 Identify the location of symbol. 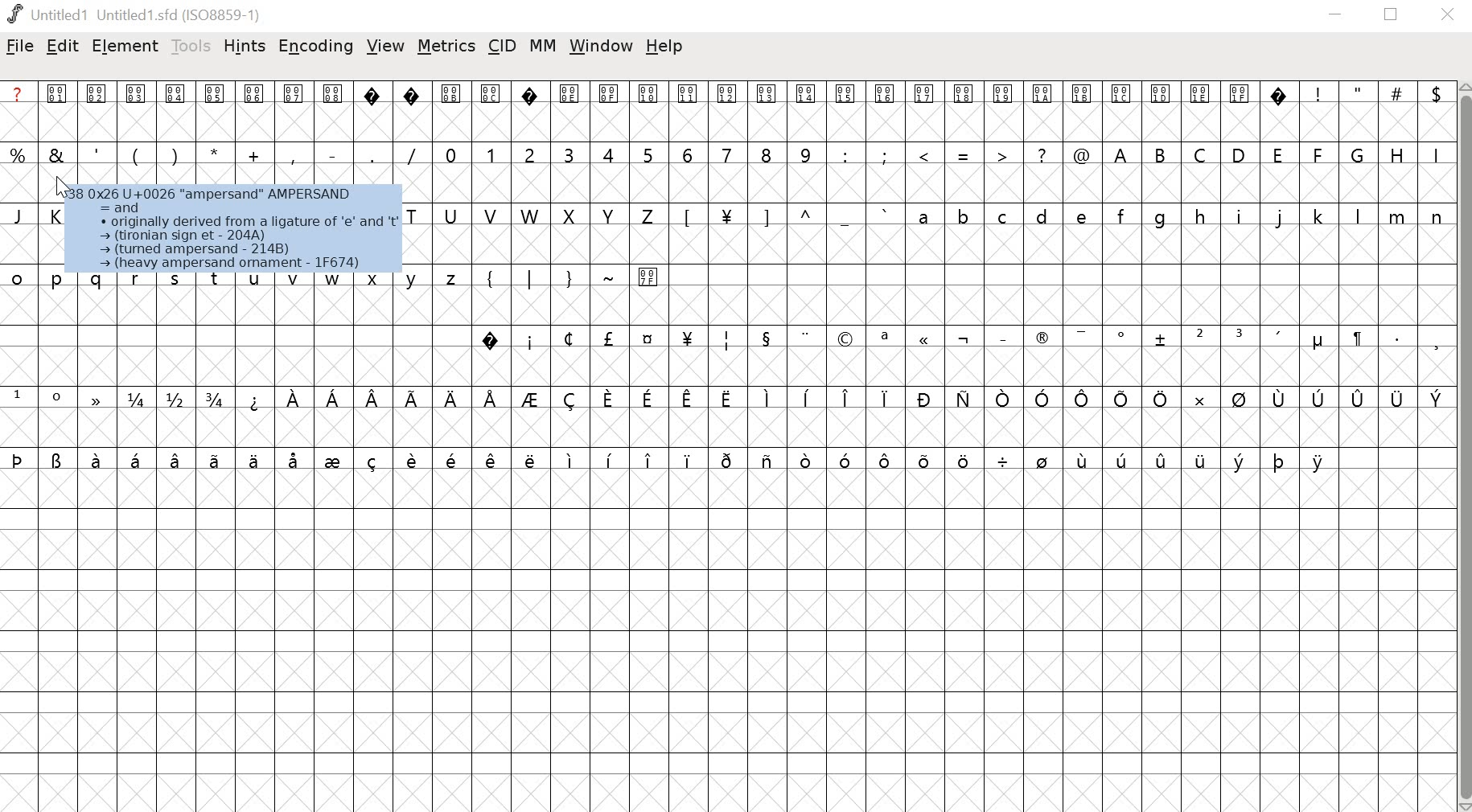
(1087, 399).